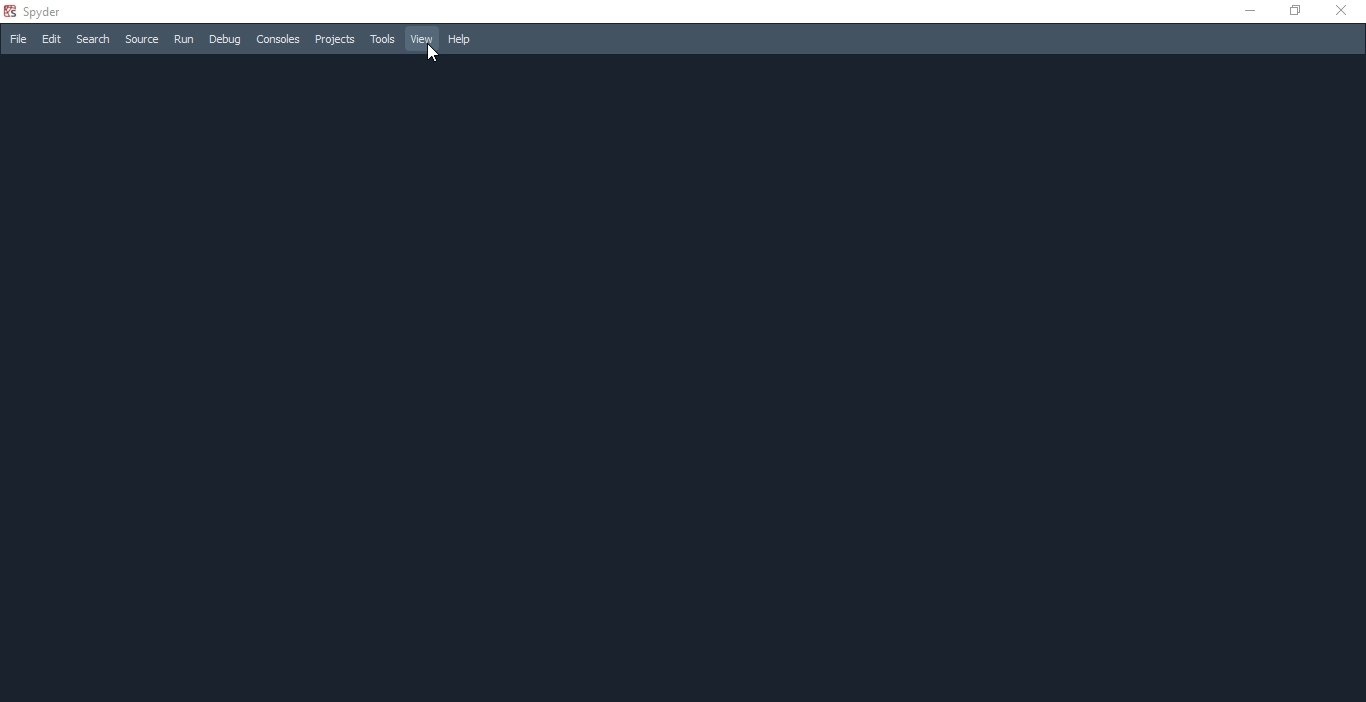 The width and height of the screenshot is (1366, 702). Describe the element at coordinates (181, 41) in the screenshot. I see `Run` at that location.